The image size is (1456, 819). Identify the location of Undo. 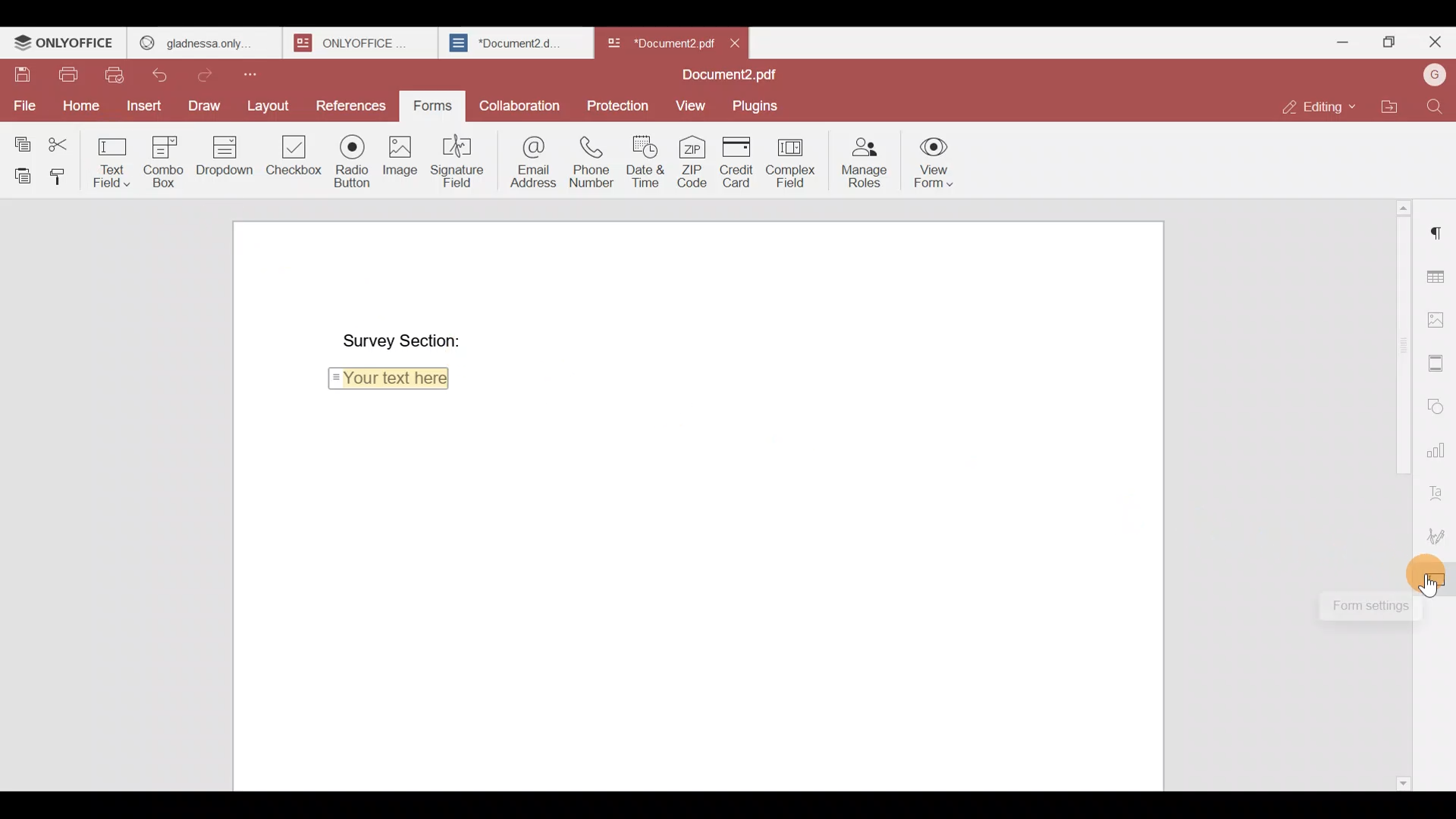
(163, 76).